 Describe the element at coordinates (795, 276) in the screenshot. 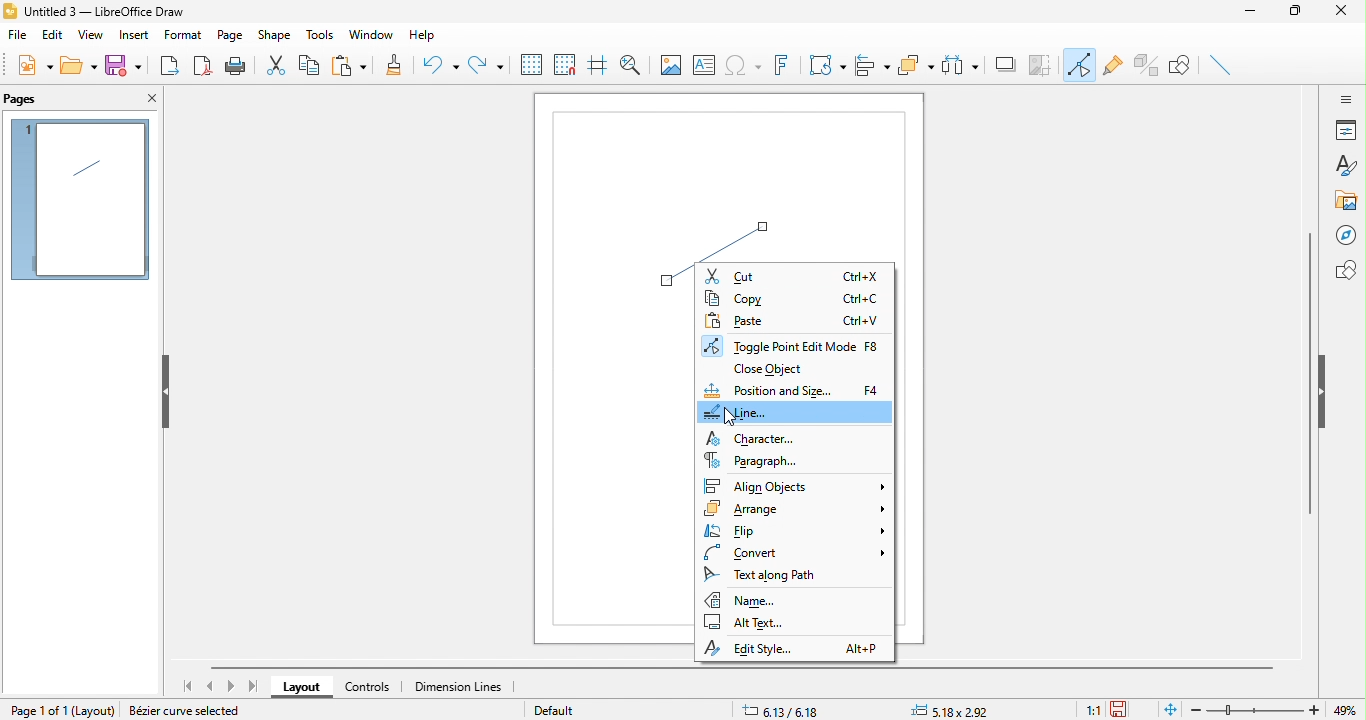

I see `cut` at that location.